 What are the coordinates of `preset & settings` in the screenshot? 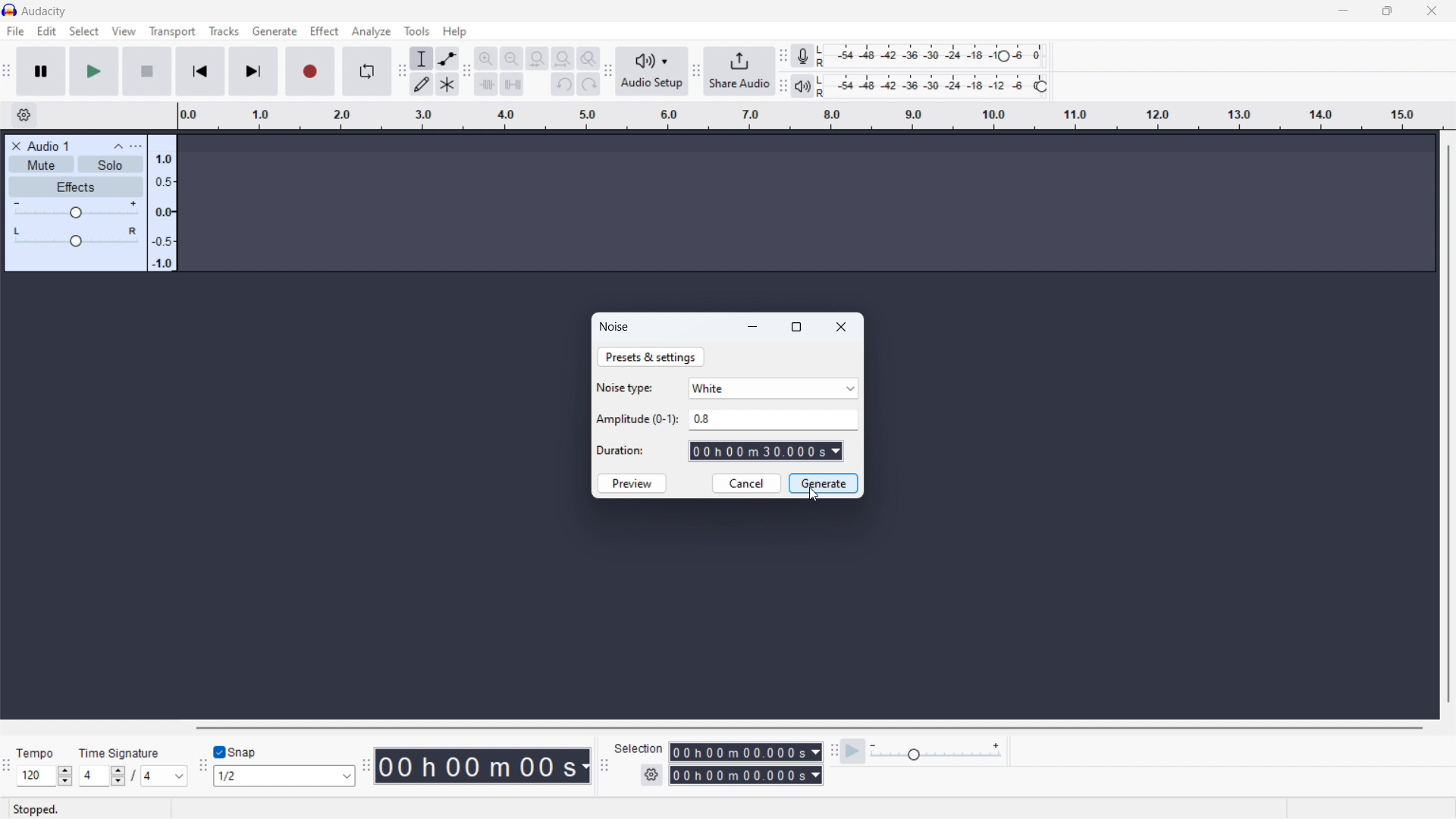 It's located at (651, 357).